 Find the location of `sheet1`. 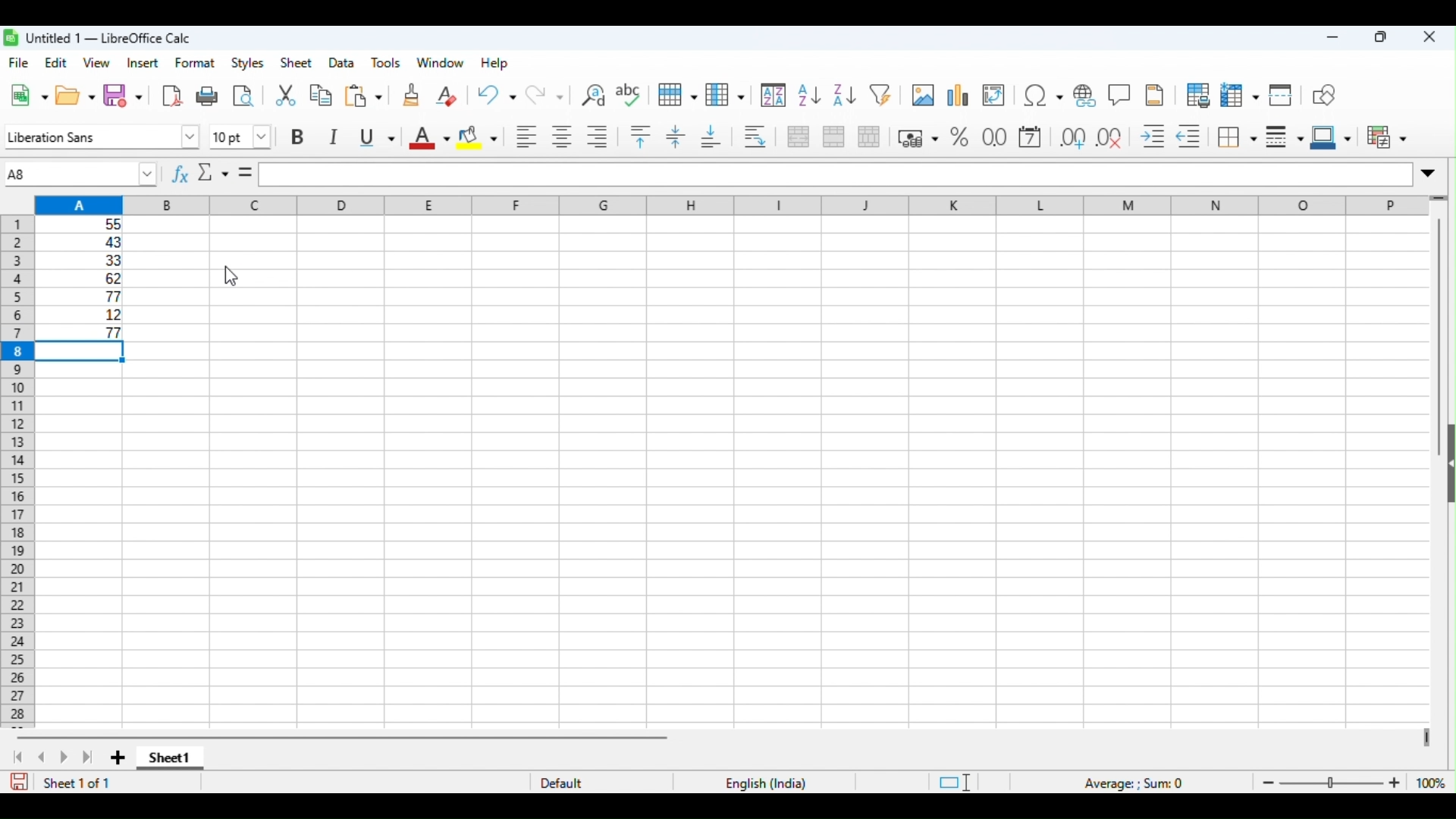

sheet1 is located at coordinates (171, 760).